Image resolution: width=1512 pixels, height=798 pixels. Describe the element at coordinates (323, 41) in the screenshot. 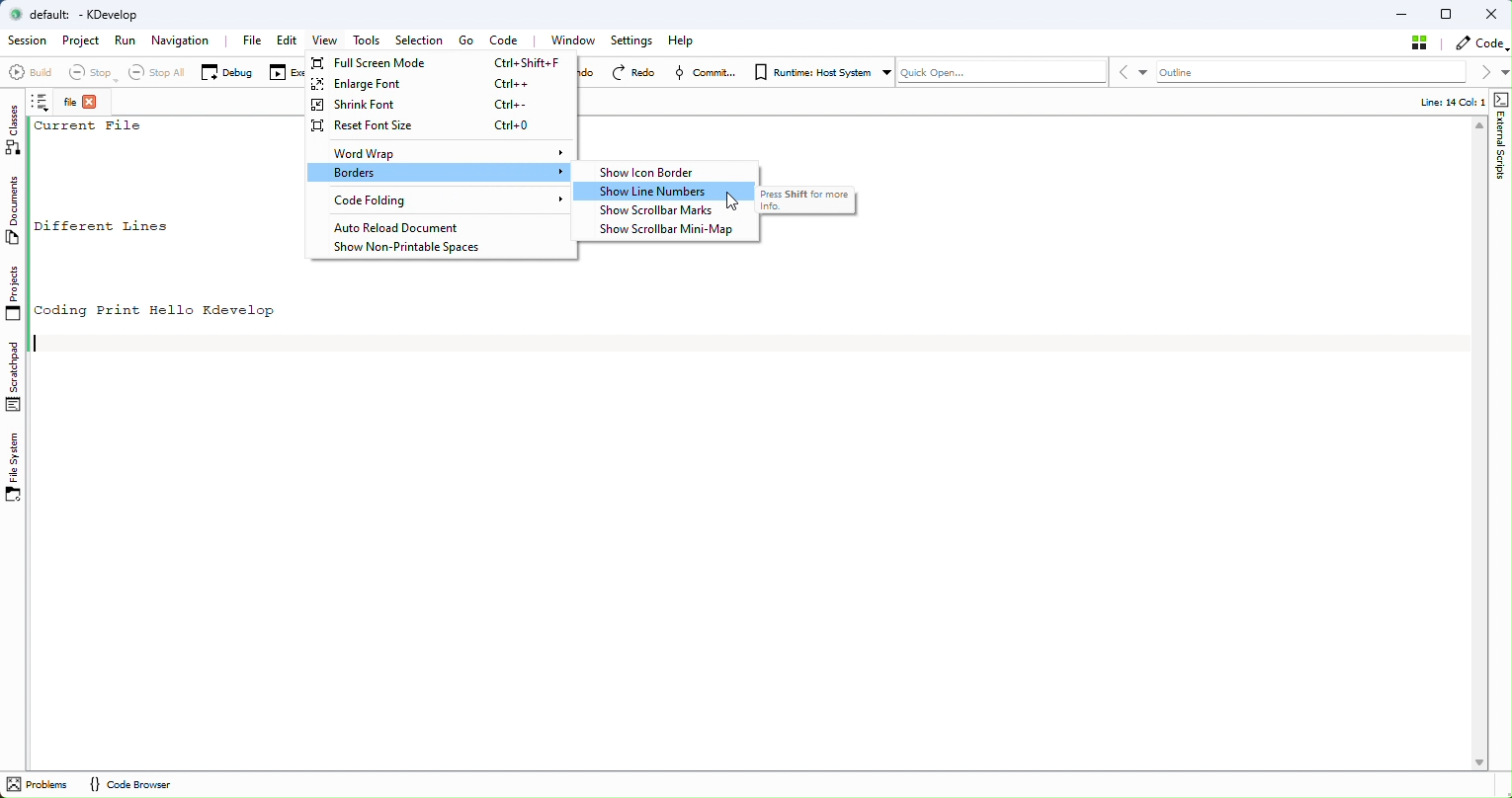

I see `View` at that location.